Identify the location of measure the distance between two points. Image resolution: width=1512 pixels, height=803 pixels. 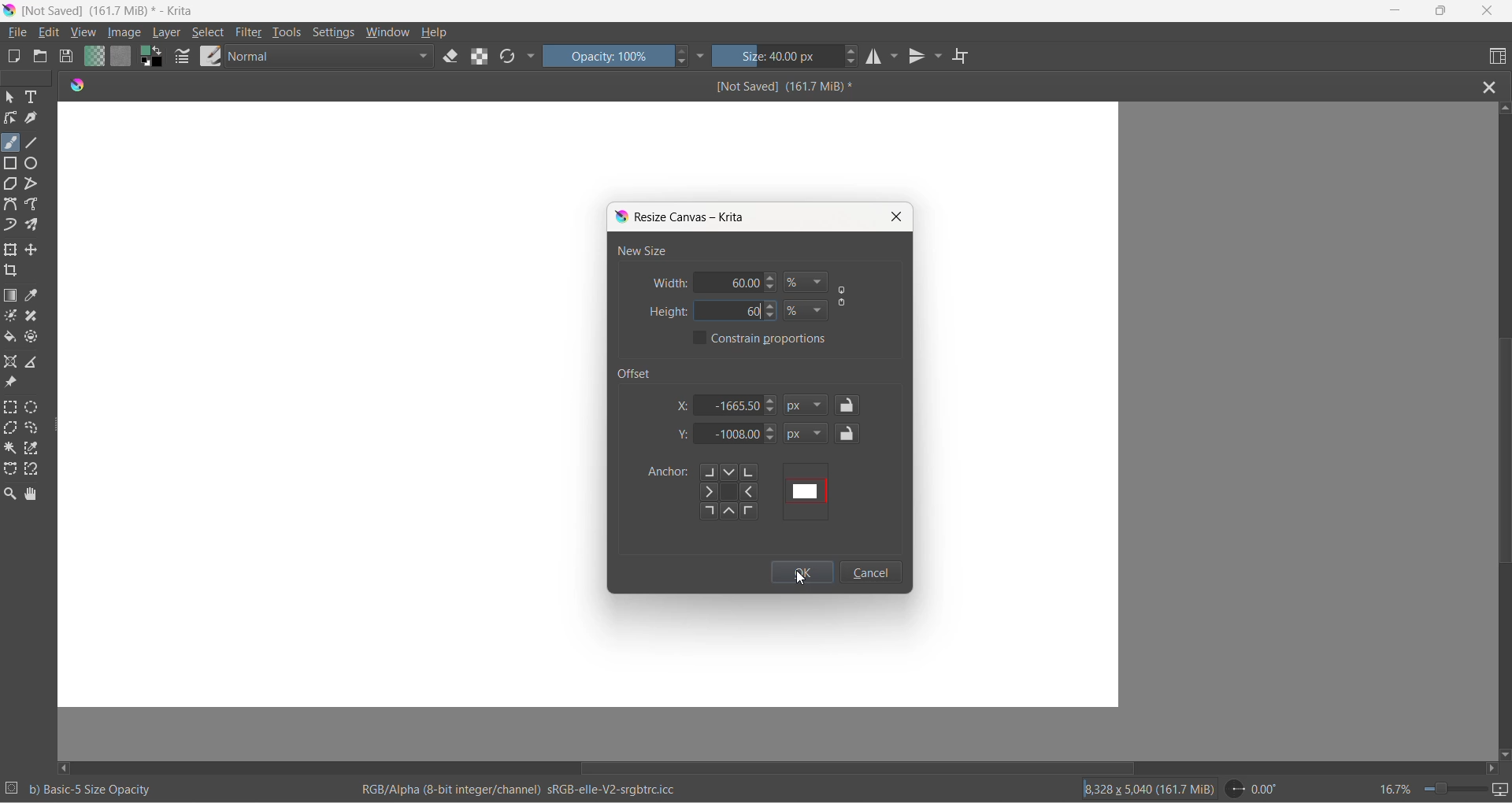
(36, 363).